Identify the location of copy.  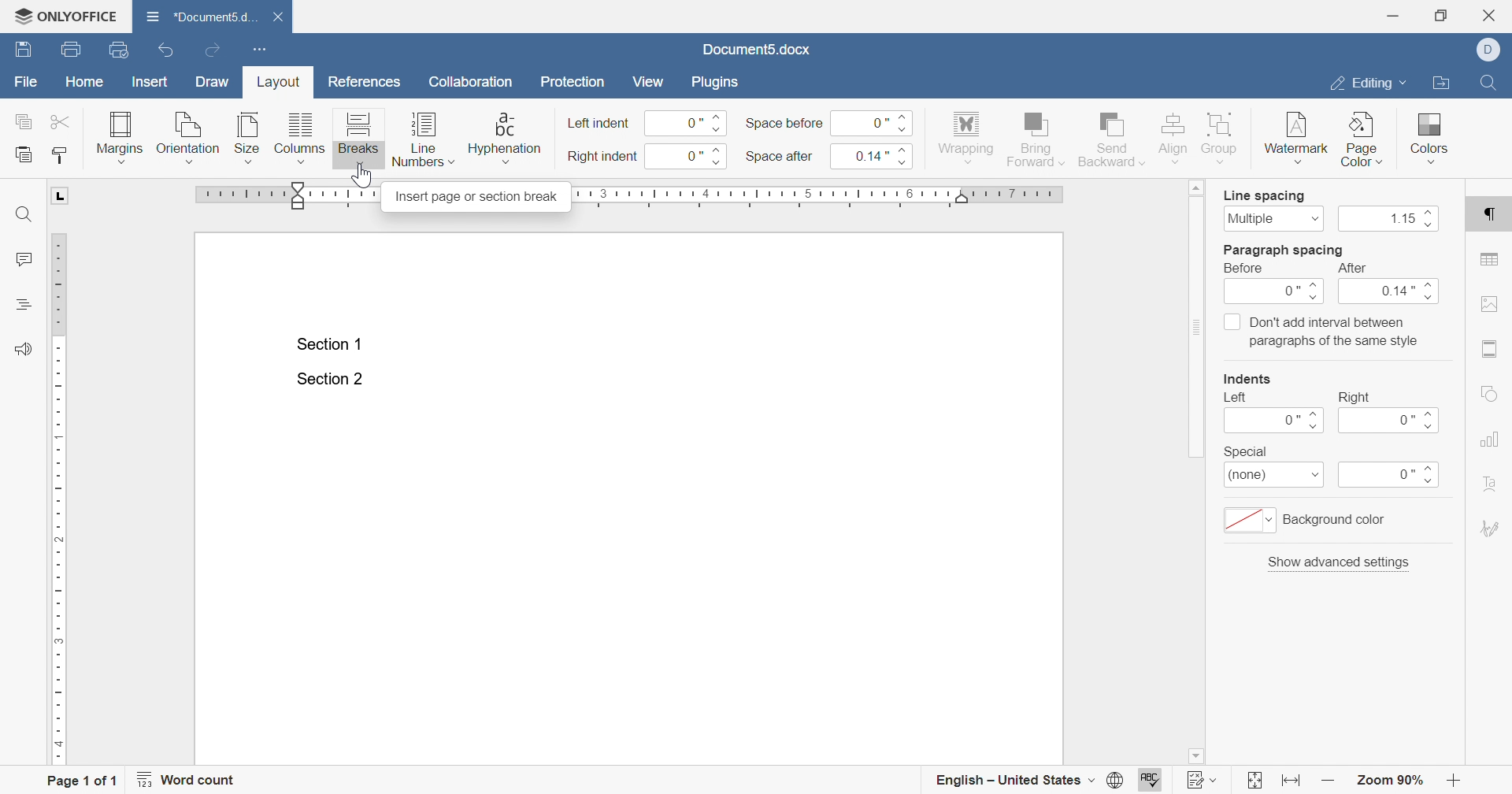
(21, 121).